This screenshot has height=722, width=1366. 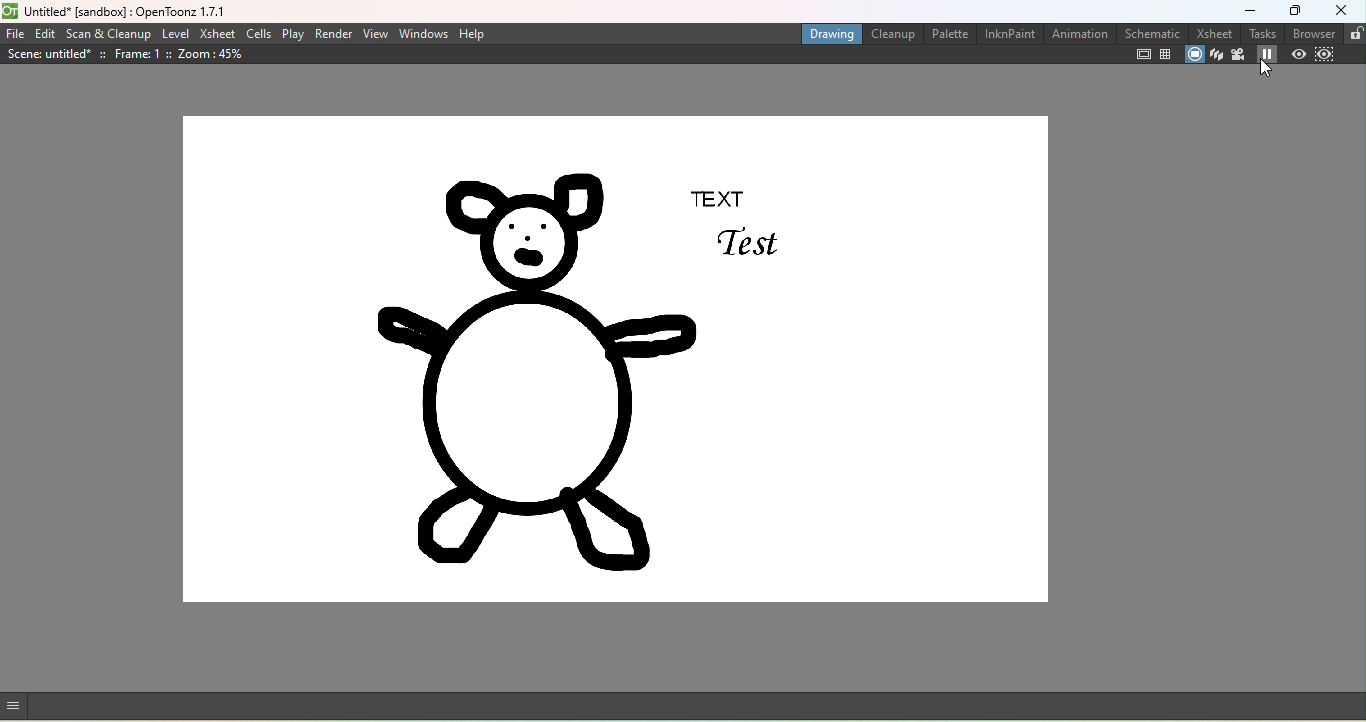 I want to click on Help, so click(x=471, y=34).